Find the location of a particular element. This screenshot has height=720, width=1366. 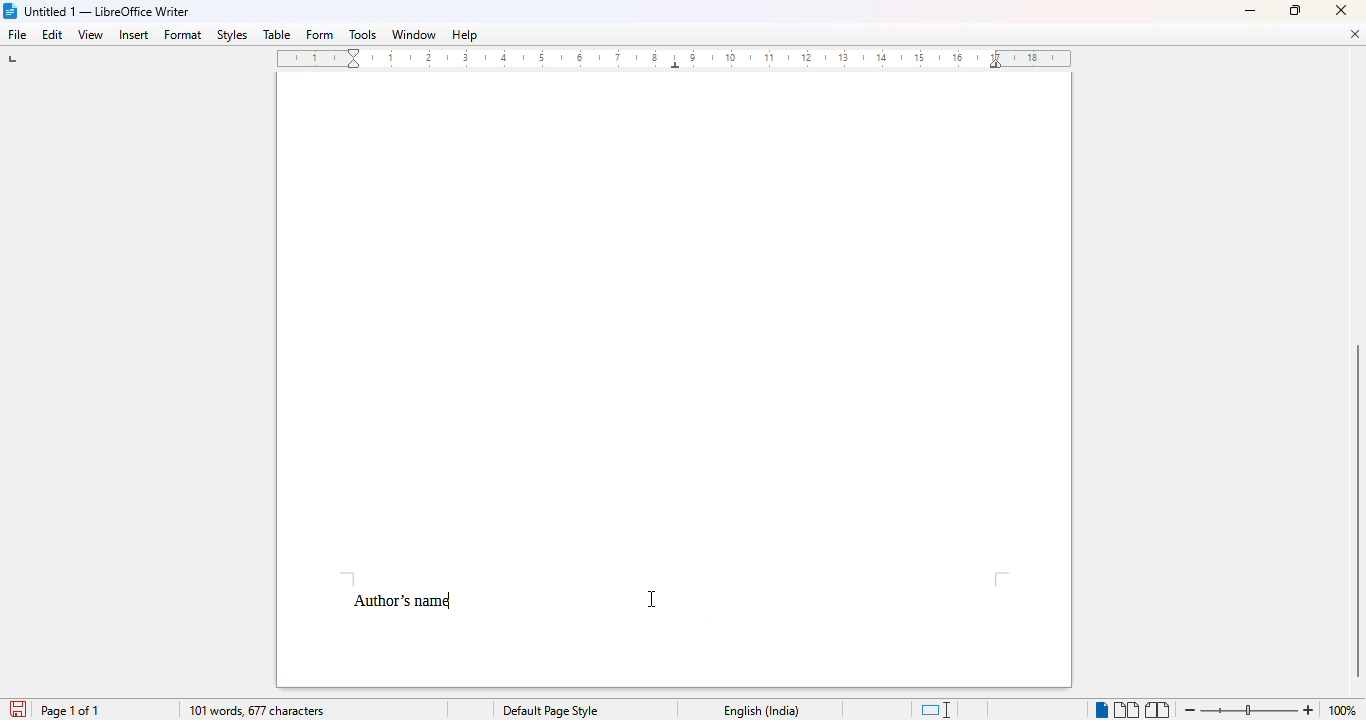

zoom in is located at coordinates (1308, 710).